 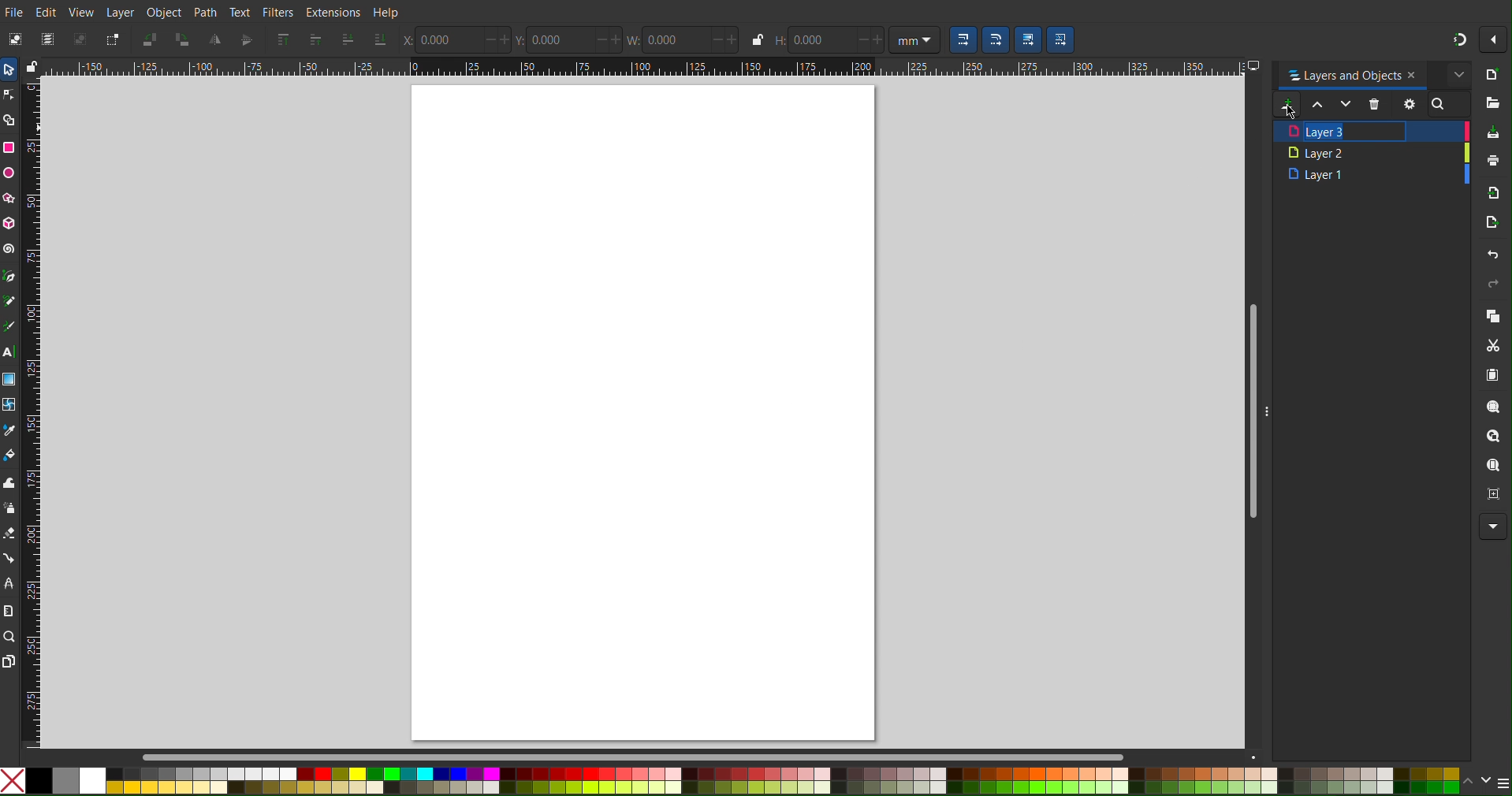 I want to click on Pages, so click(x=13, y=662).